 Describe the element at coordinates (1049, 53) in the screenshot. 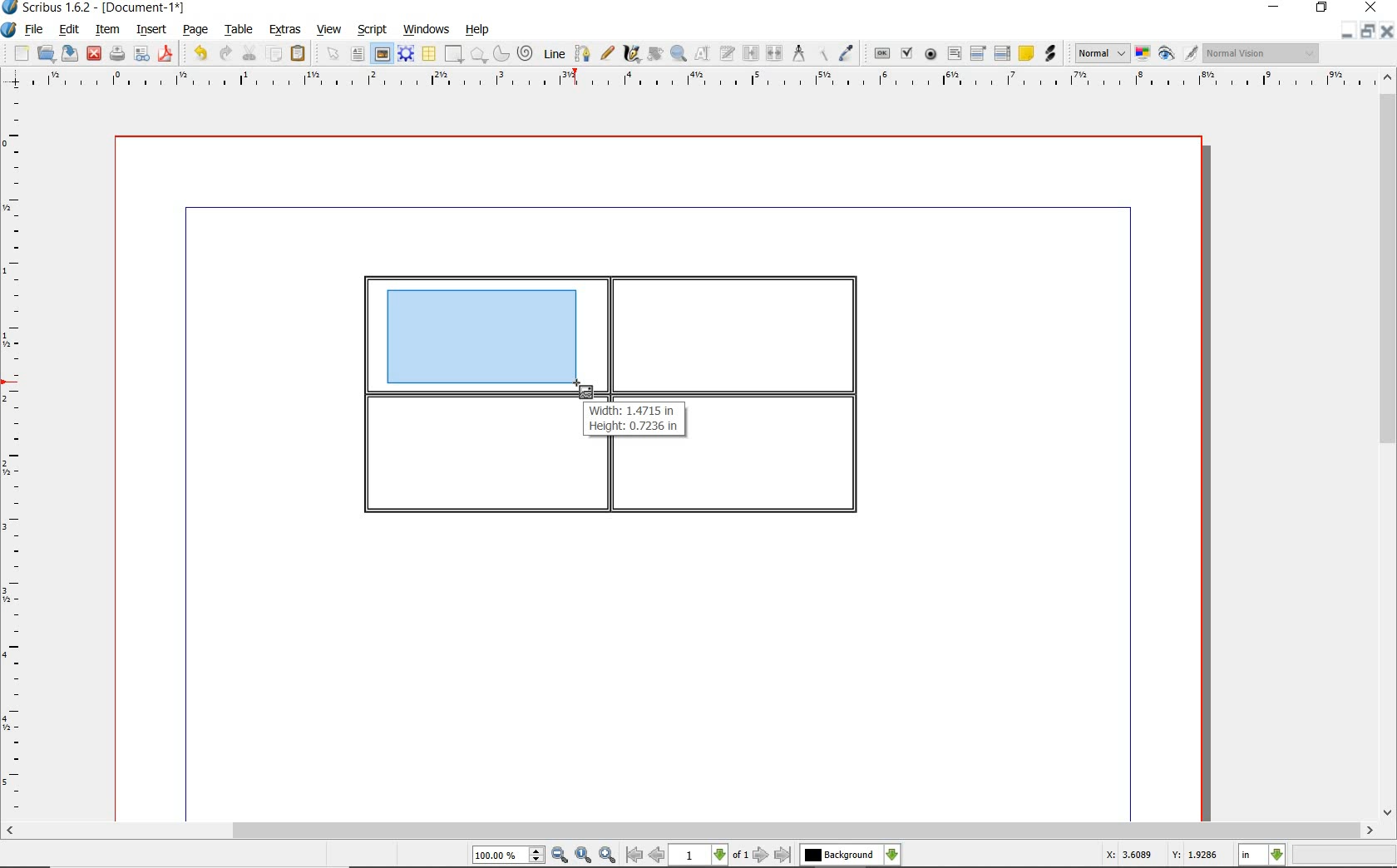

I see `link annotation` at that location.